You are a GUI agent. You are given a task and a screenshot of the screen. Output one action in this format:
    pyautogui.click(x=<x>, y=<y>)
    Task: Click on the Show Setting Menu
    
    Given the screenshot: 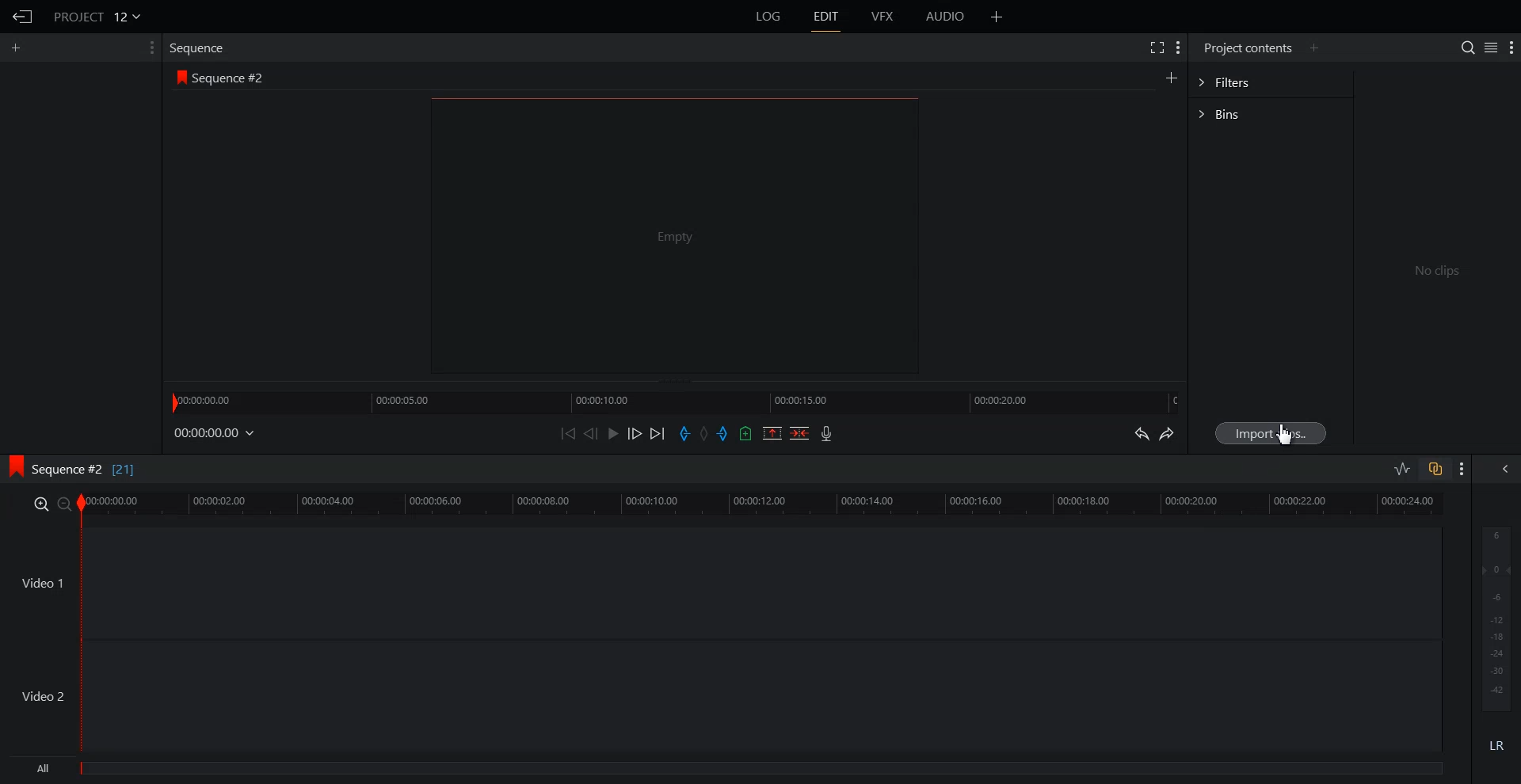 What is the action you would take?
    pyautogui.click(x=1179, y=48)
    